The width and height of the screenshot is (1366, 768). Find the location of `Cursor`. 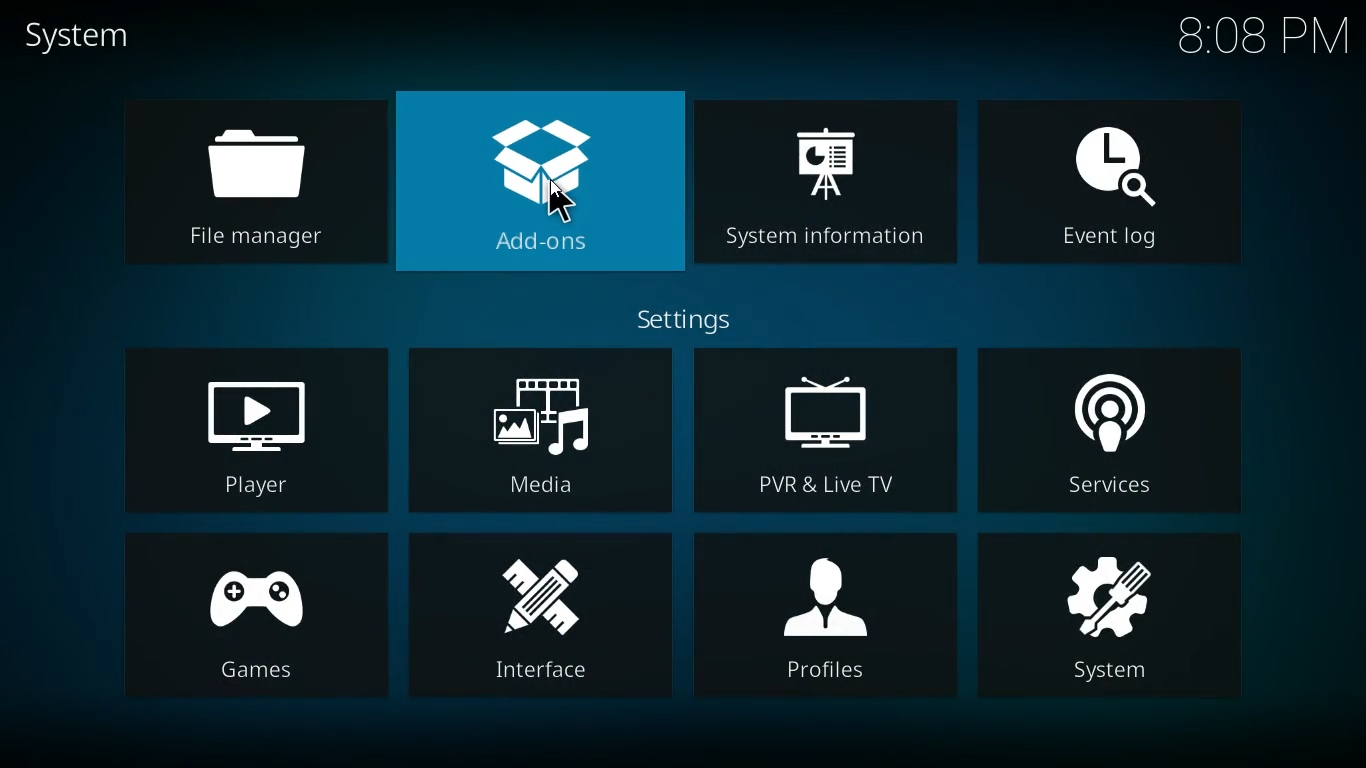

Cursor is located at coordinates (560, 203).